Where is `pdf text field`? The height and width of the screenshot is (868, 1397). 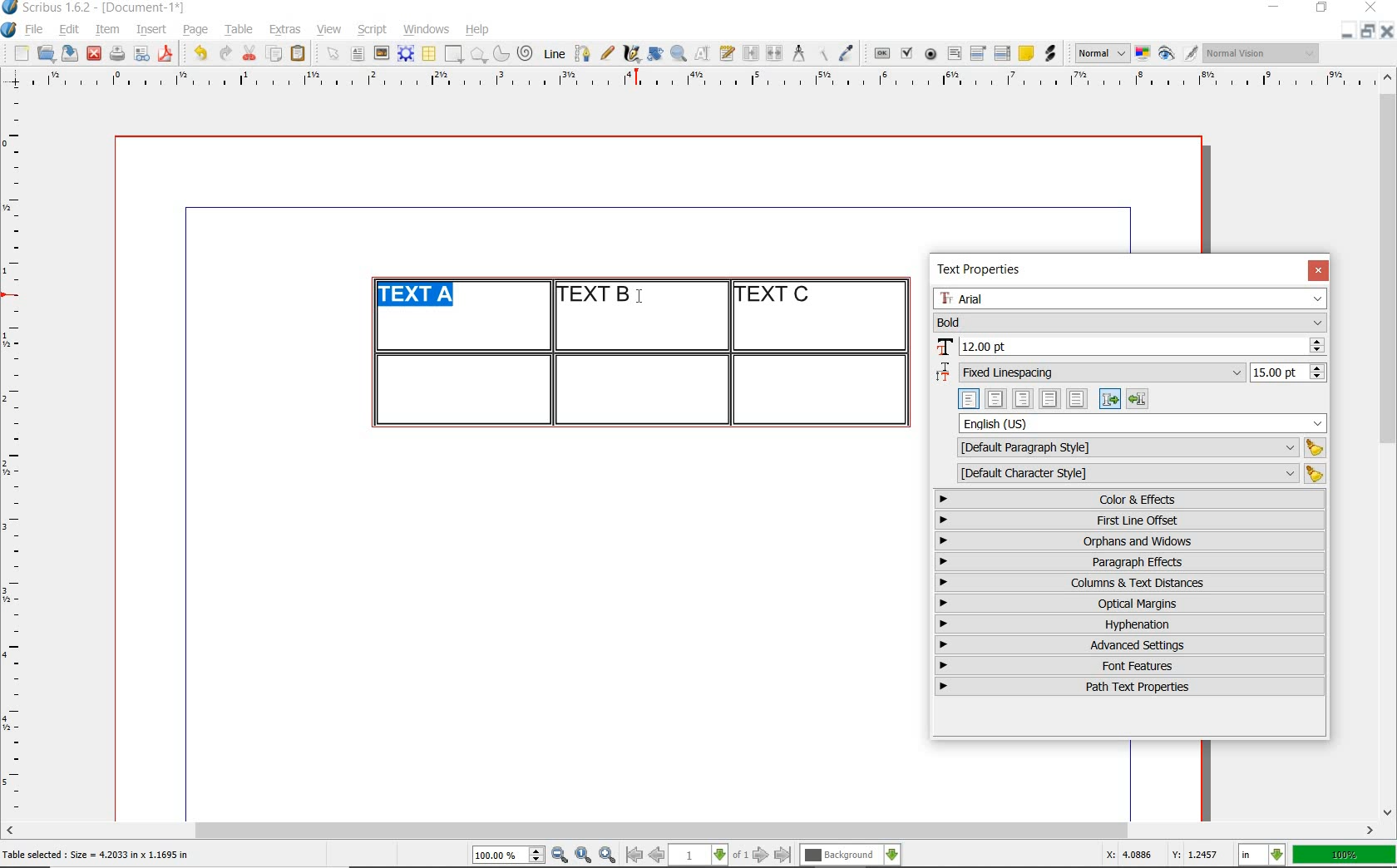
pdf text field is located at coordinates (954, 55).